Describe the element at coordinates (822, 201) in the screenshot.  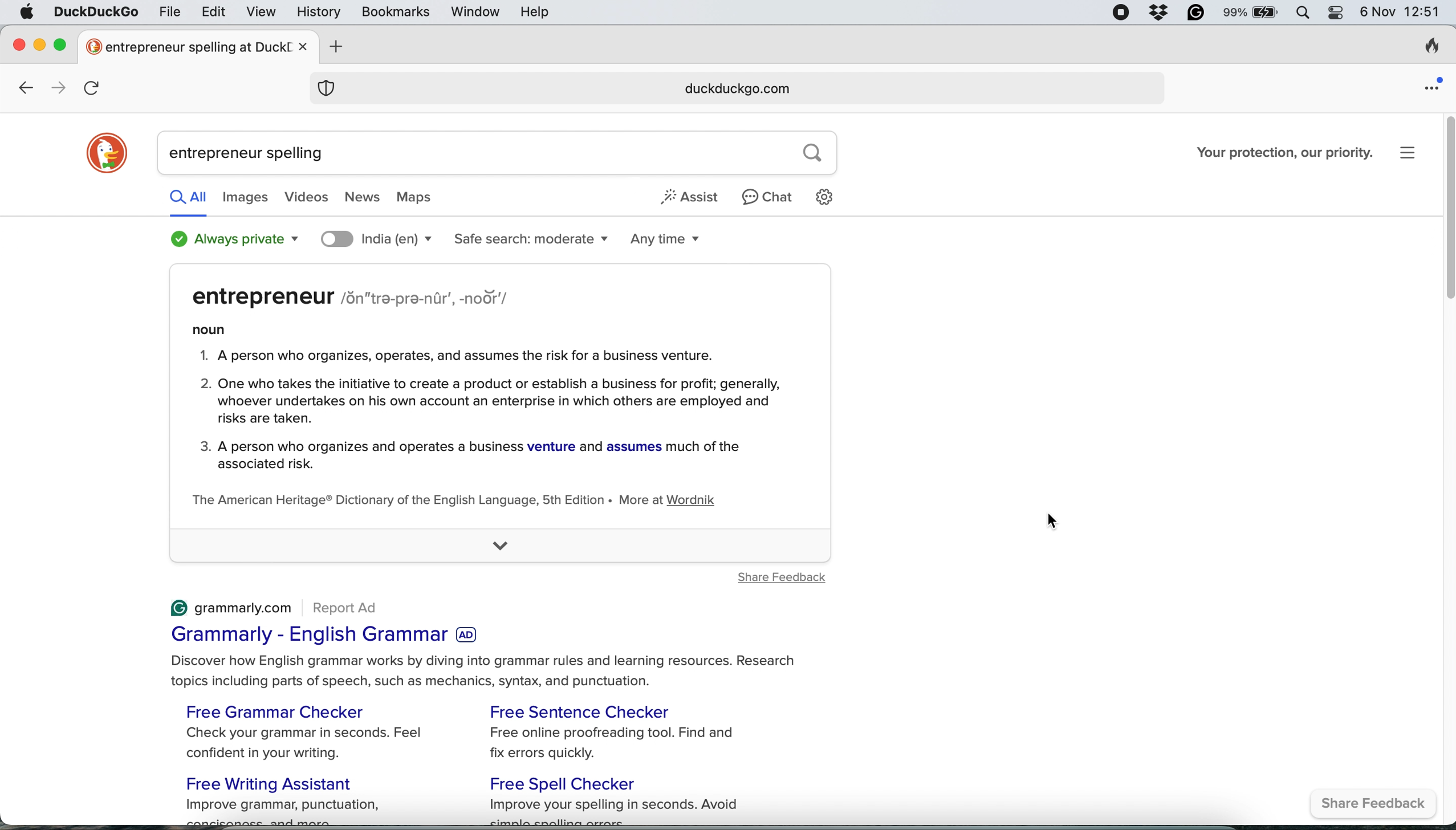
I see `settings` at that location.